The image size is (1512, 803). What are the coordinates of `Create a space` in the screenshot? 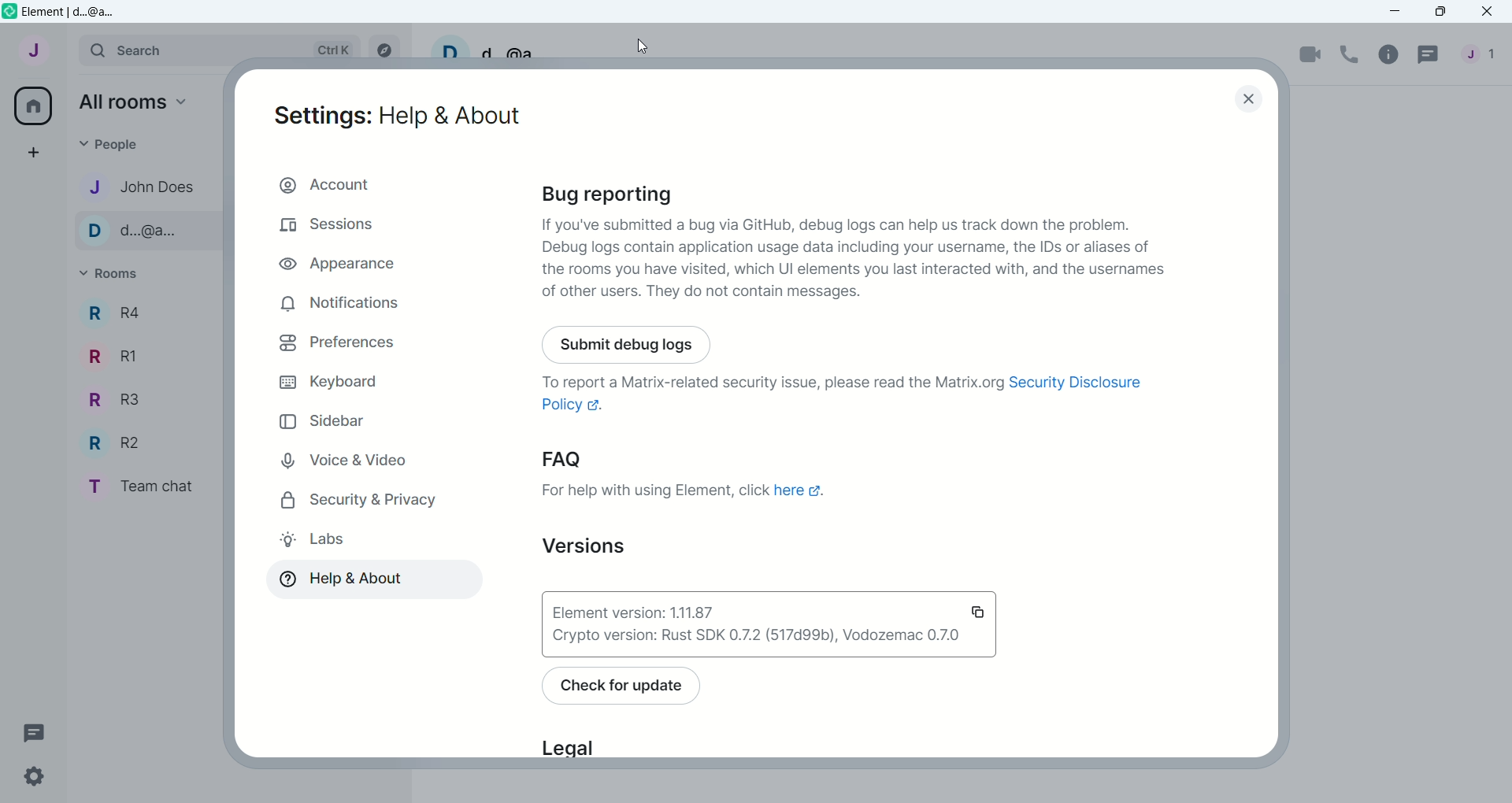 It's located at (30, 154).